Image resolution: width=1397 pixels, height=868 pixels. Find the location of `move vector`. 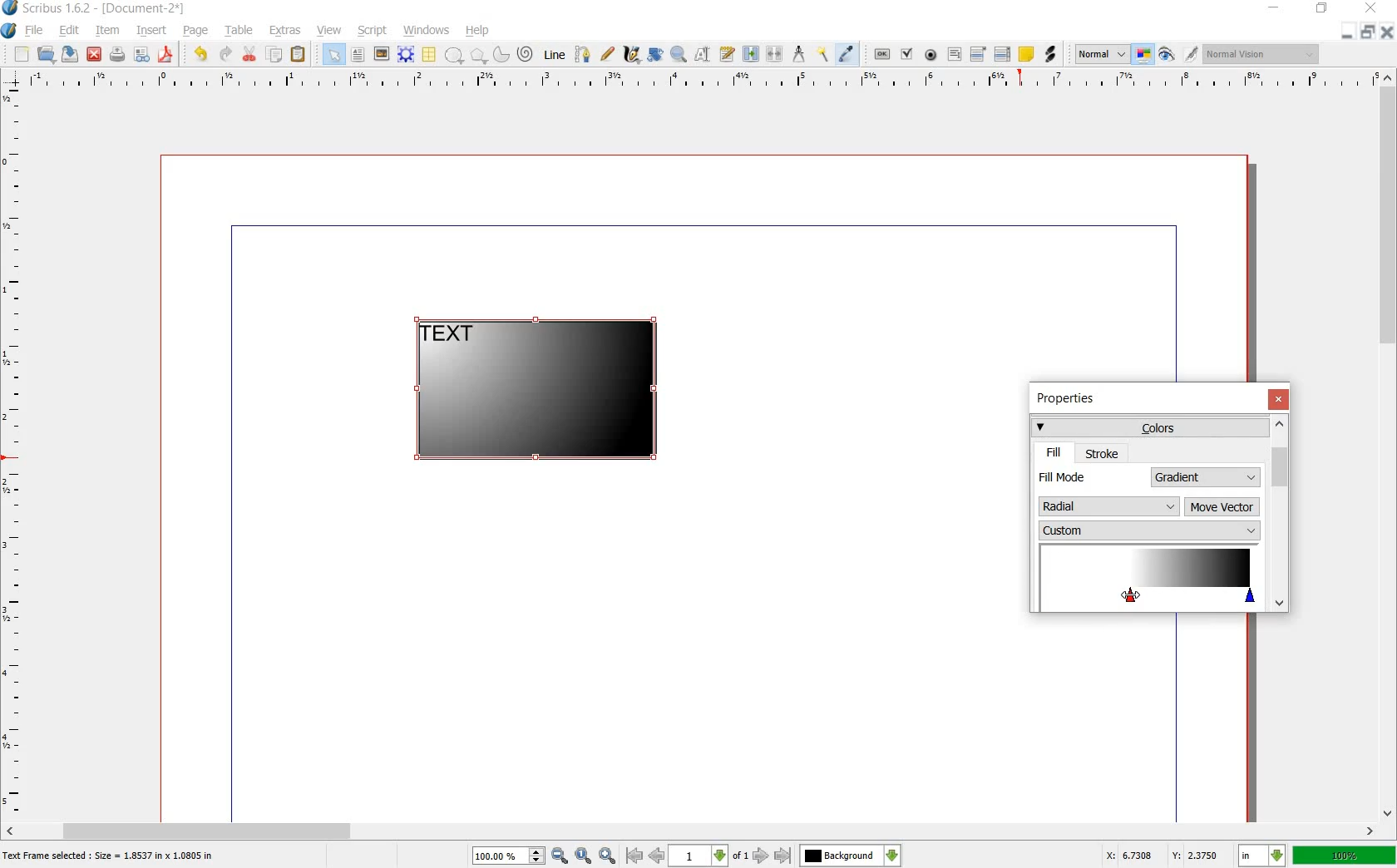

move vector is located at coordinates (1222, 508).